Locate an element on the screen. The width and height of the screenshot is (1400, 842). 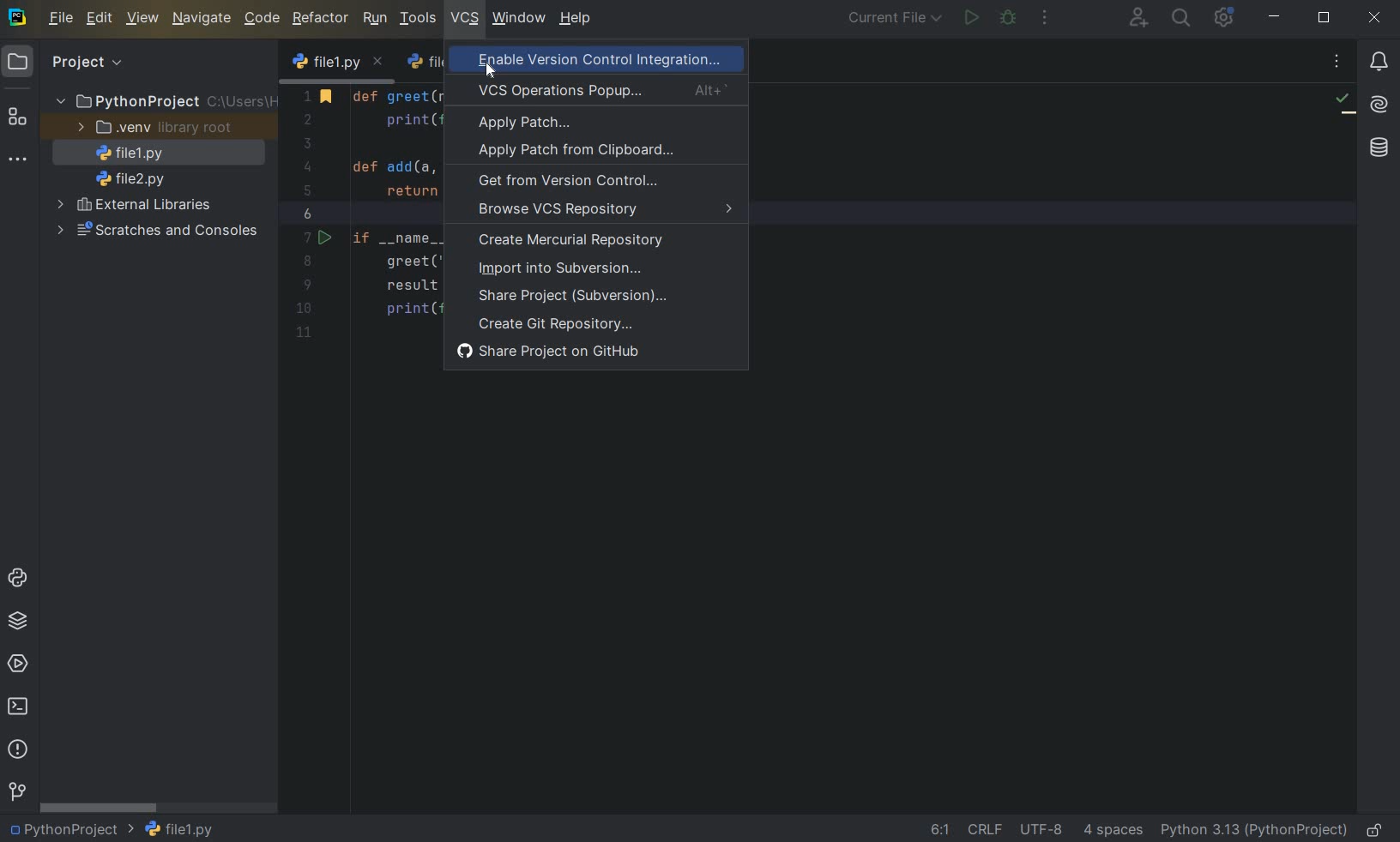
current file is located at coordinates (890, 20).